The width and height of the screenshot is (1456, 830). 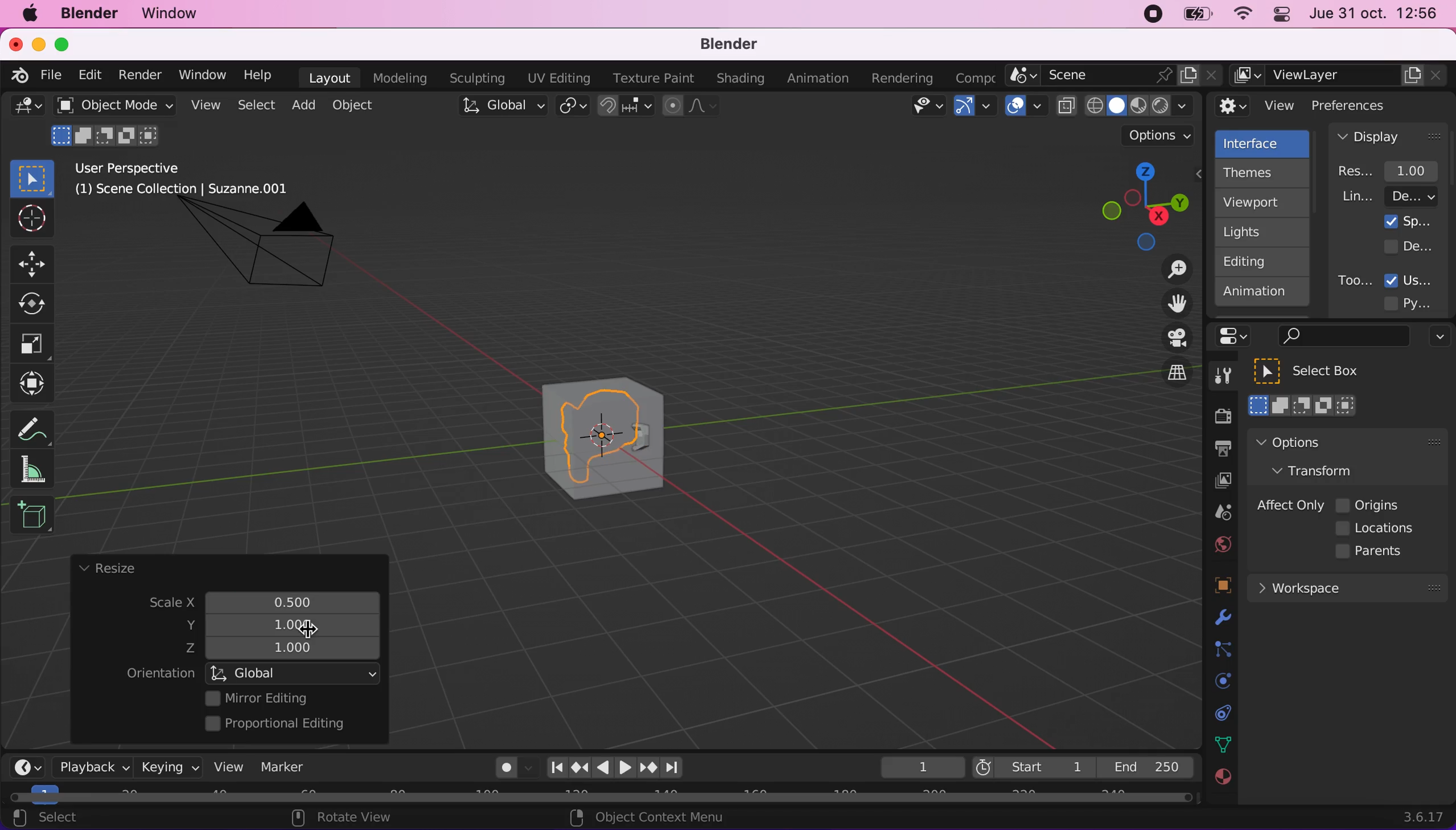 I want to click on rendering, so click(x=903, y=79).